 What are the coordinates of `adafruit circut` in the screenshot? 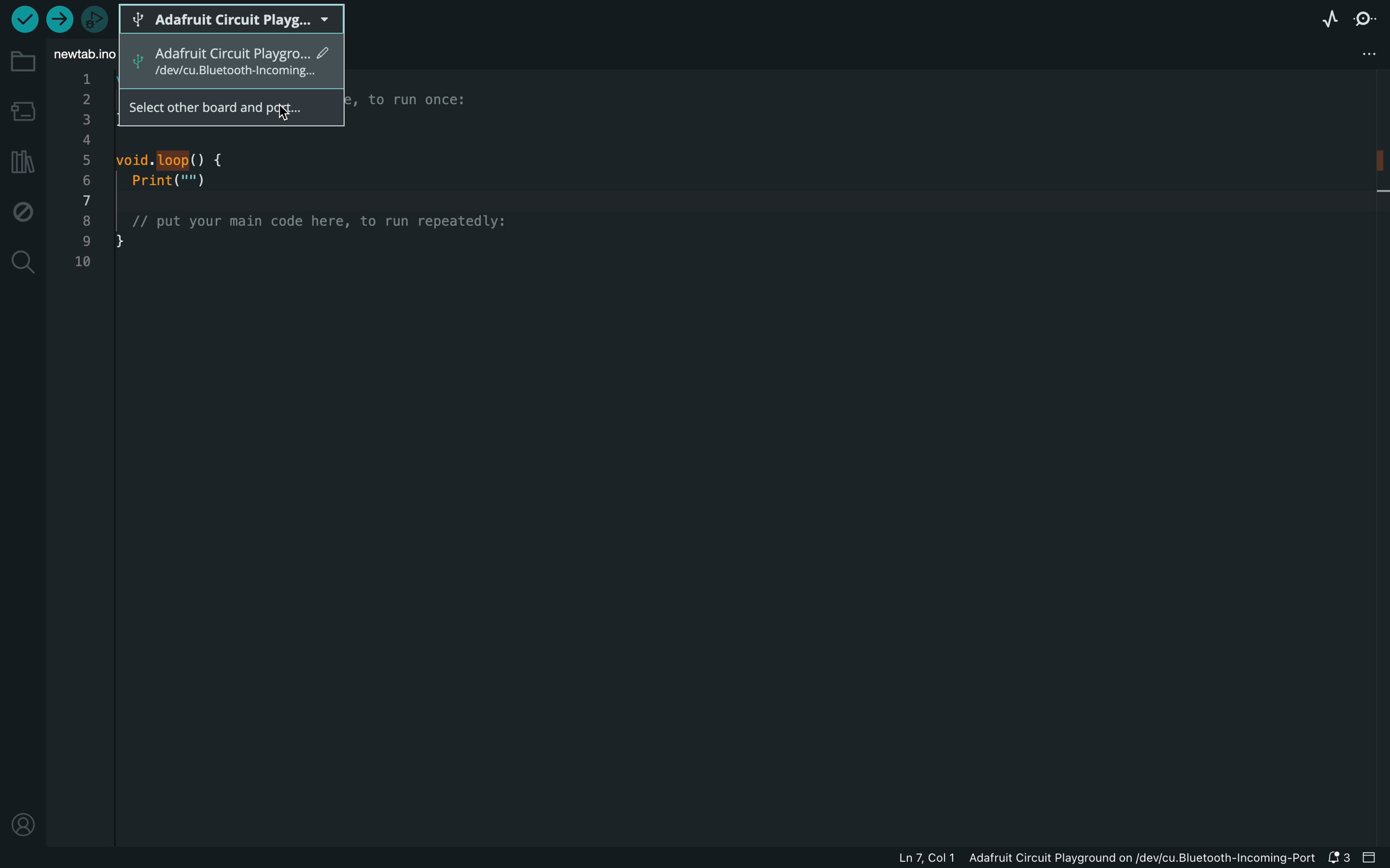 It's located at (232, 63).